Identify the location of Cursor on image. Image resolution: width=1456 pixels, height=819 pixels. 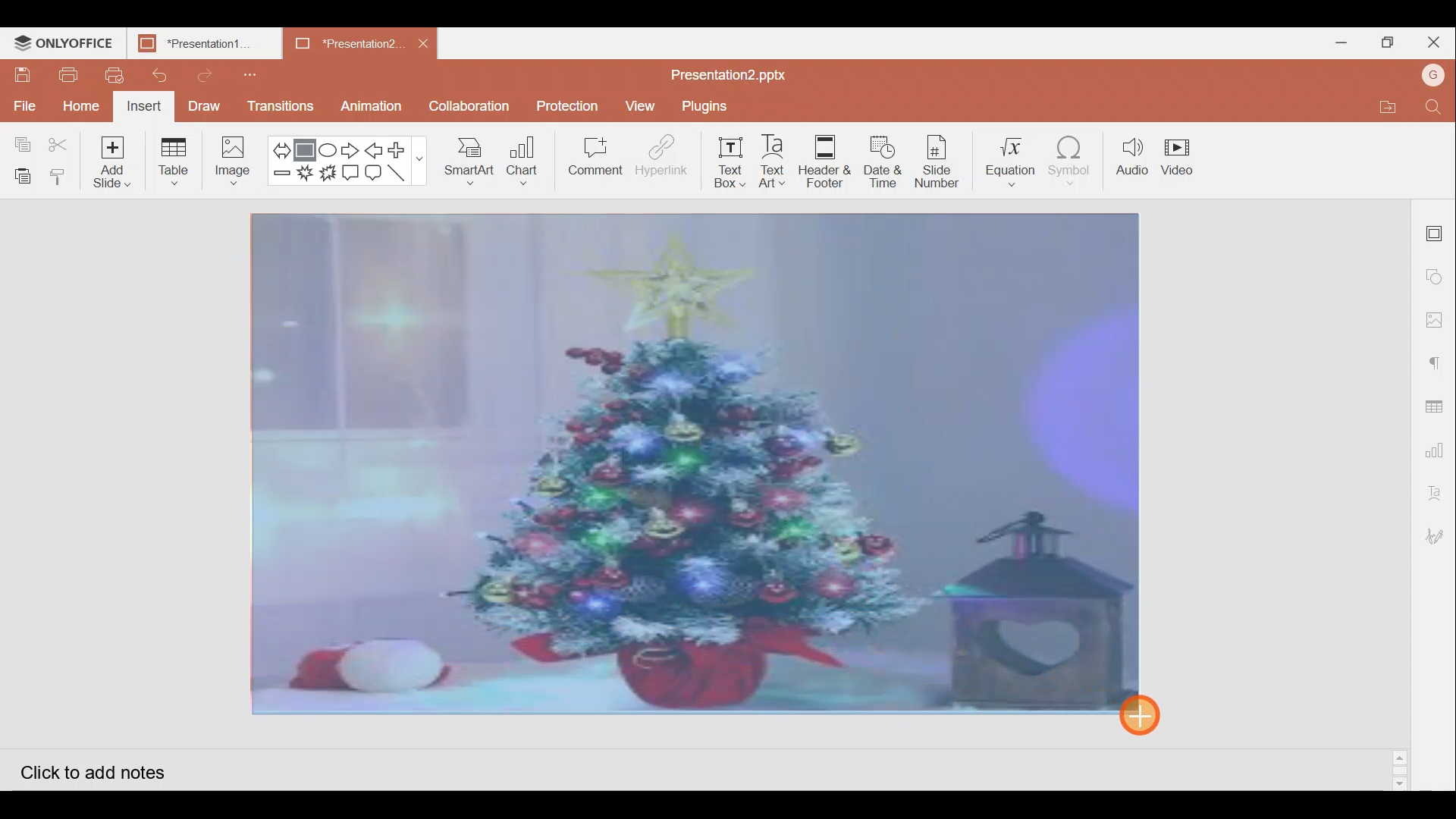
(1150, 714).